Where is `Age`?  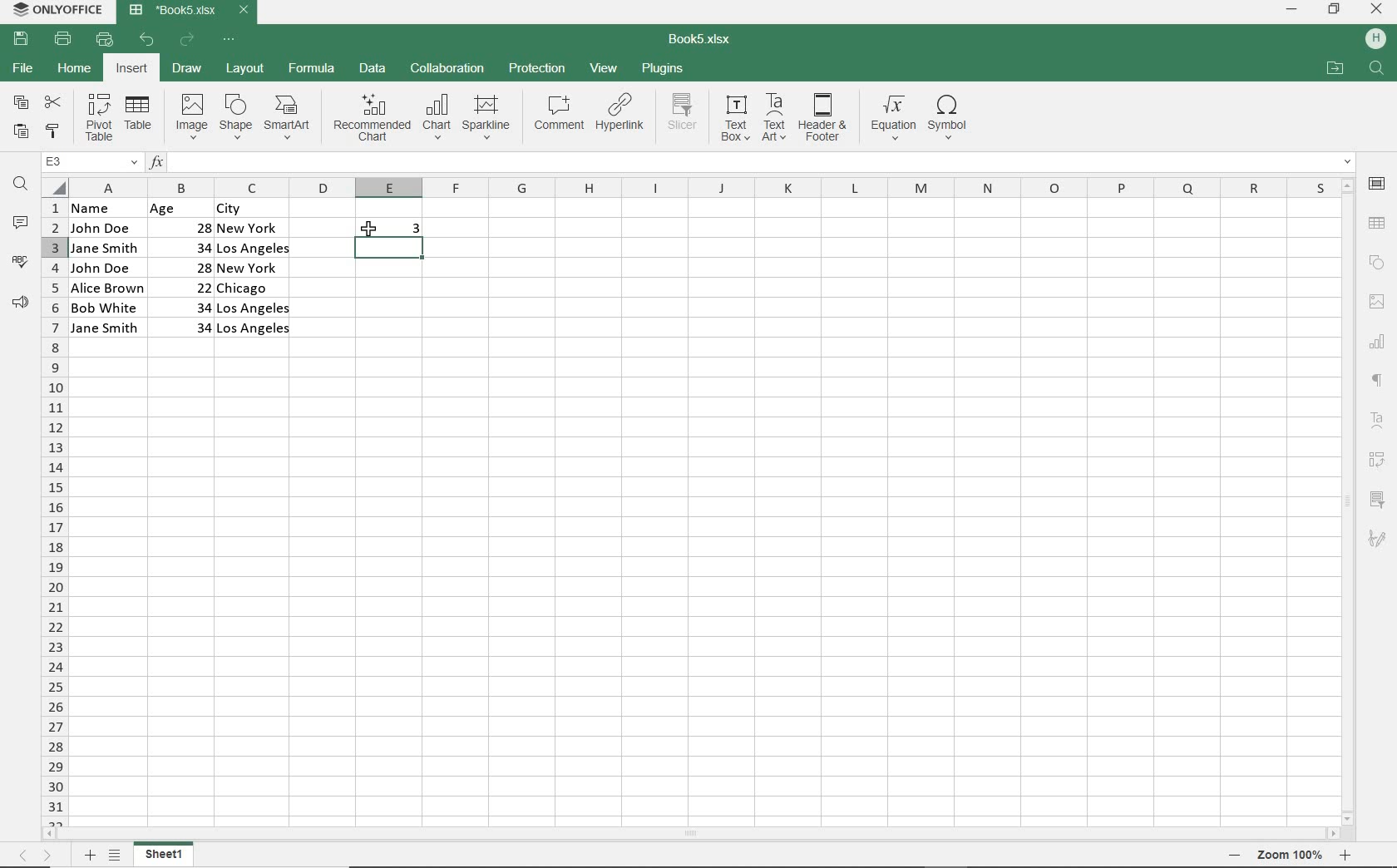
Age is located at coordinates (180, 209).